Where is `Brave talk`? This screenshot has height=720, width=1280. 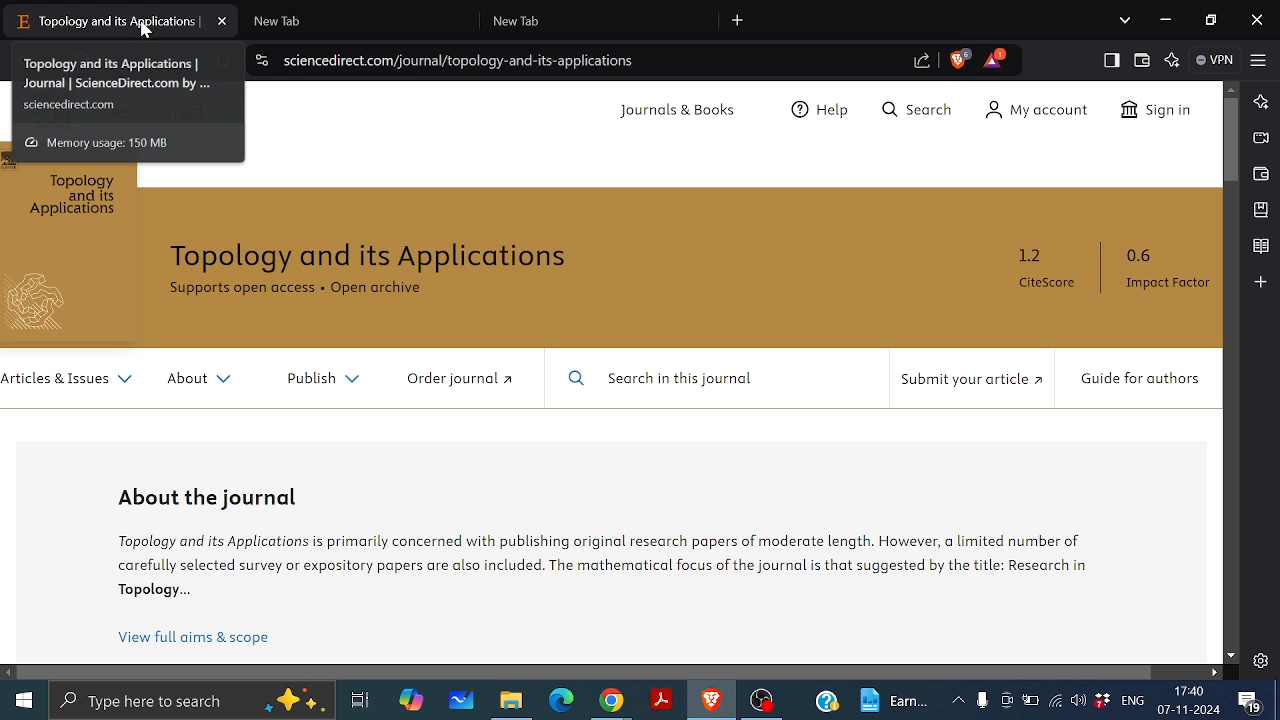 Brave talk is located at coordinates (1261, 139).